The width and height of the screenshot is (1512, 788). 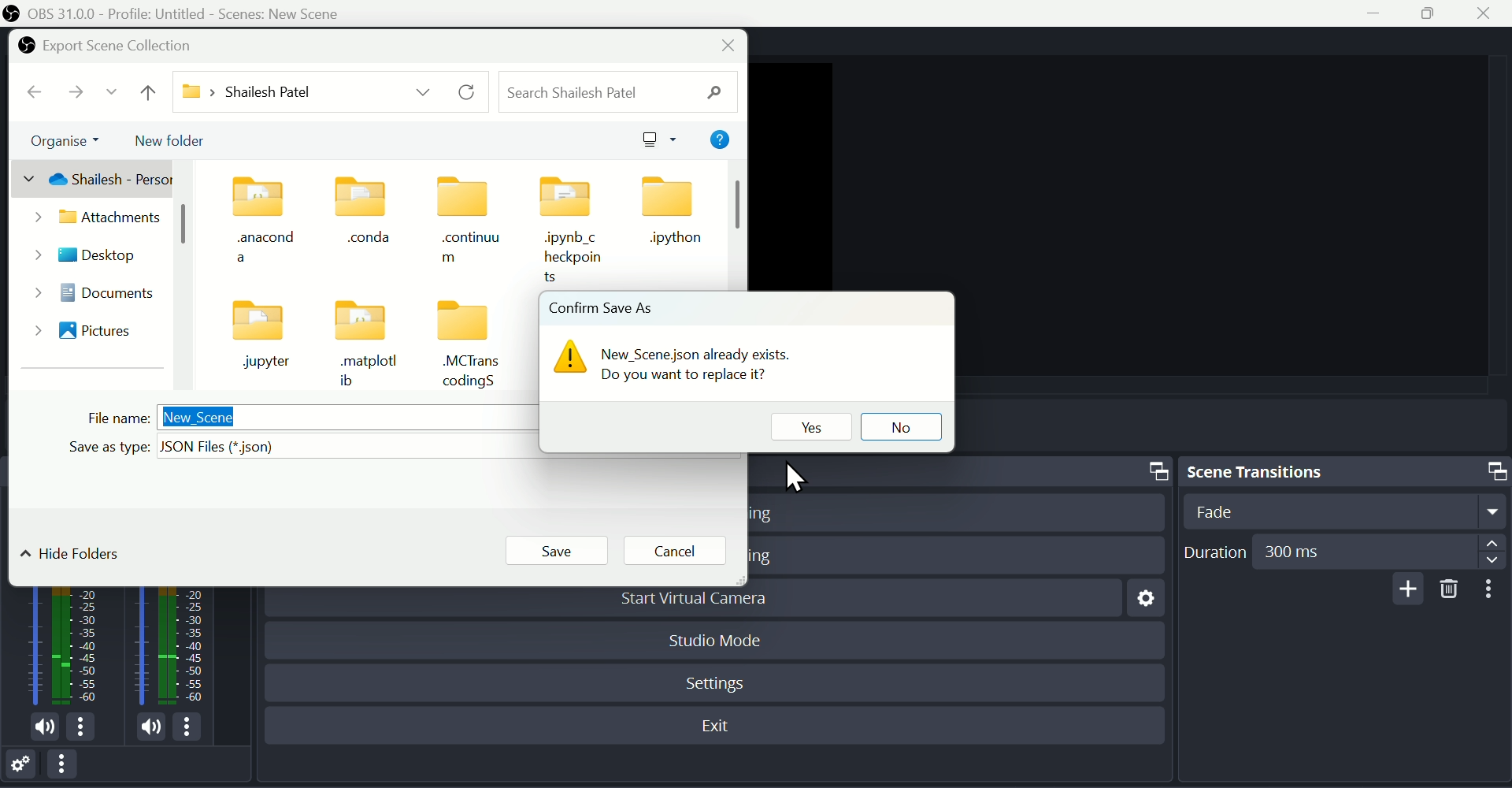 I want to click on save, so click(x=553, y=551).